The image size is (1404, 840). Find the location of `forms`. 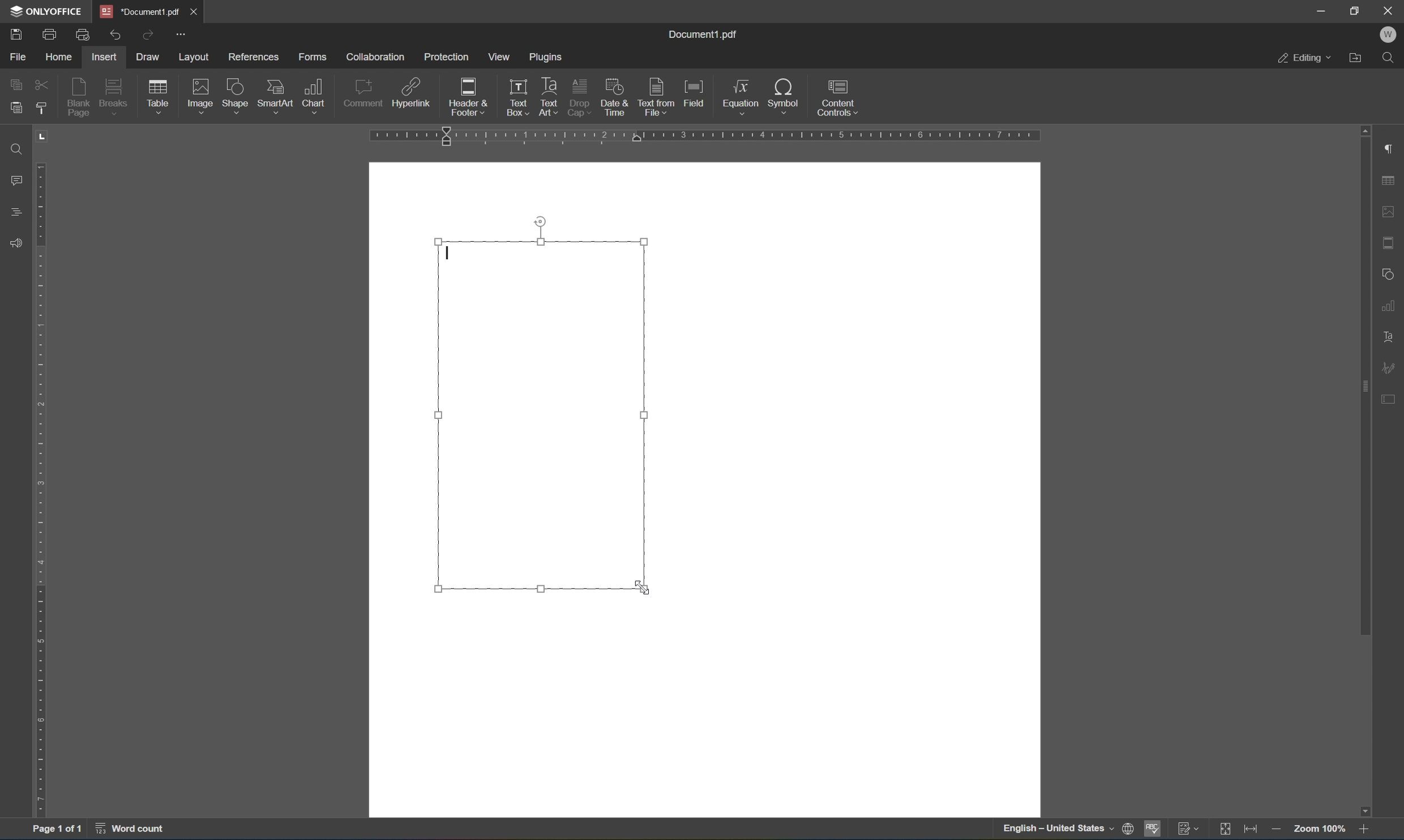

forms is located at coordinates (313, 57).